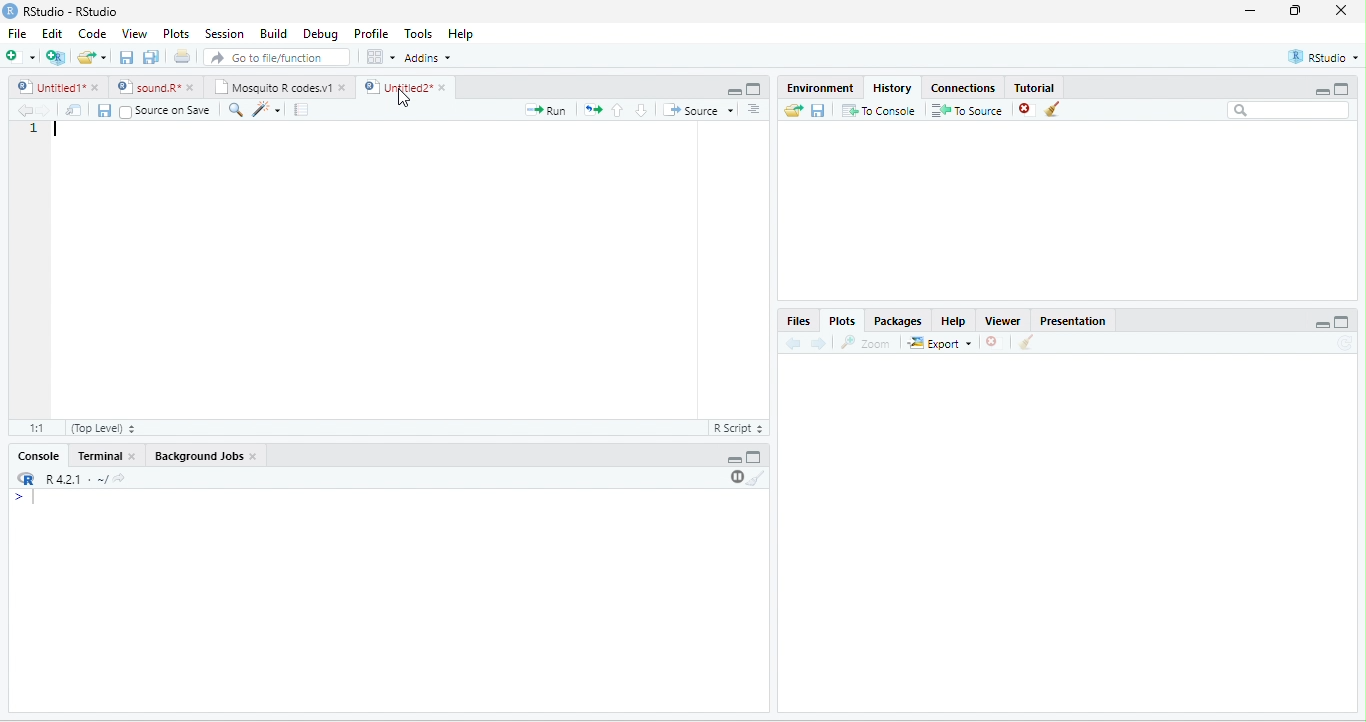  What do you see at coordinates (254, 456) in the screenshot?
I see `close` at bounding box center [254, 456].